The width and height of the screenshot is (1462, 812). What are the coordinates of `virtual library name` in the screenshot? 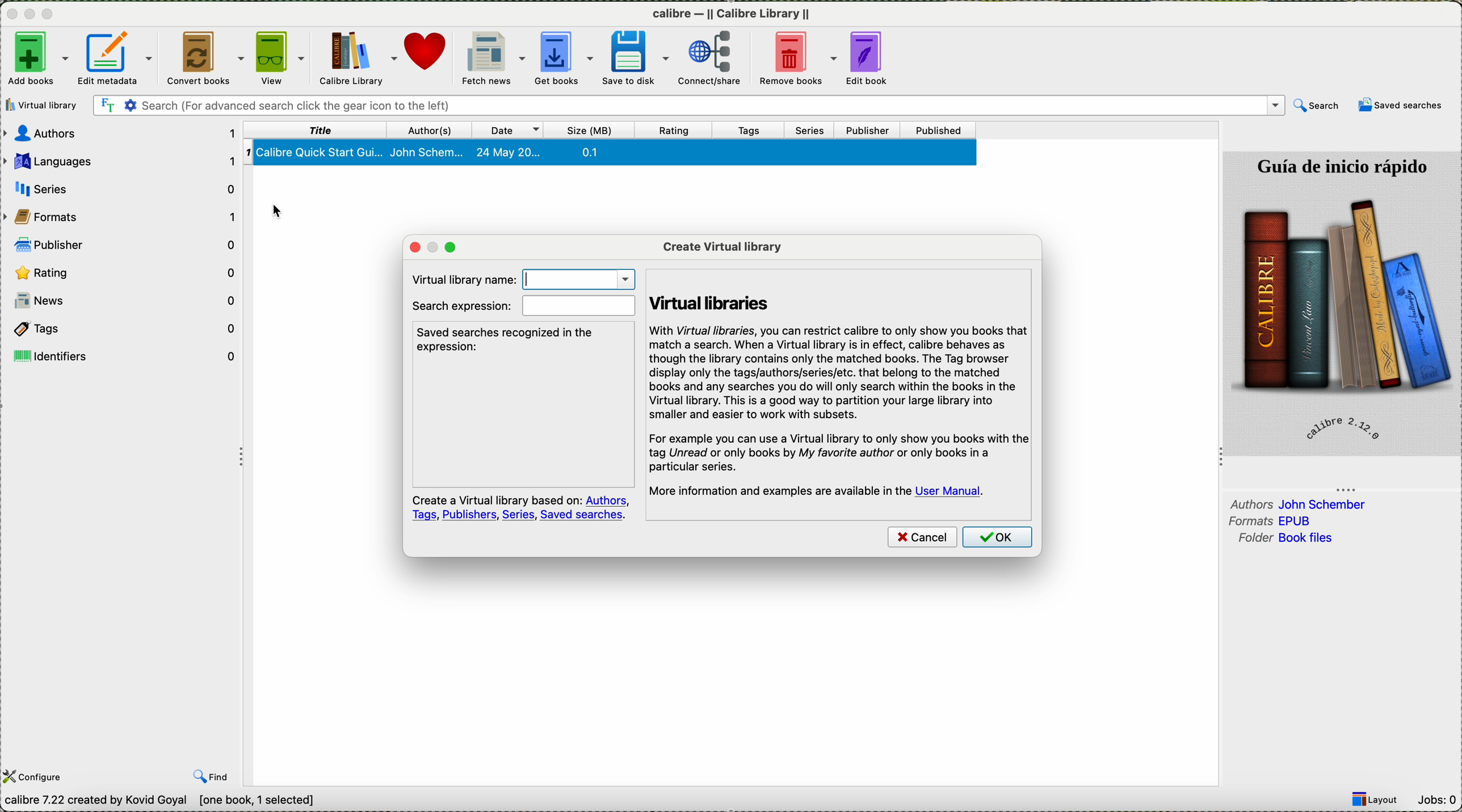 It's located at (521, 278).